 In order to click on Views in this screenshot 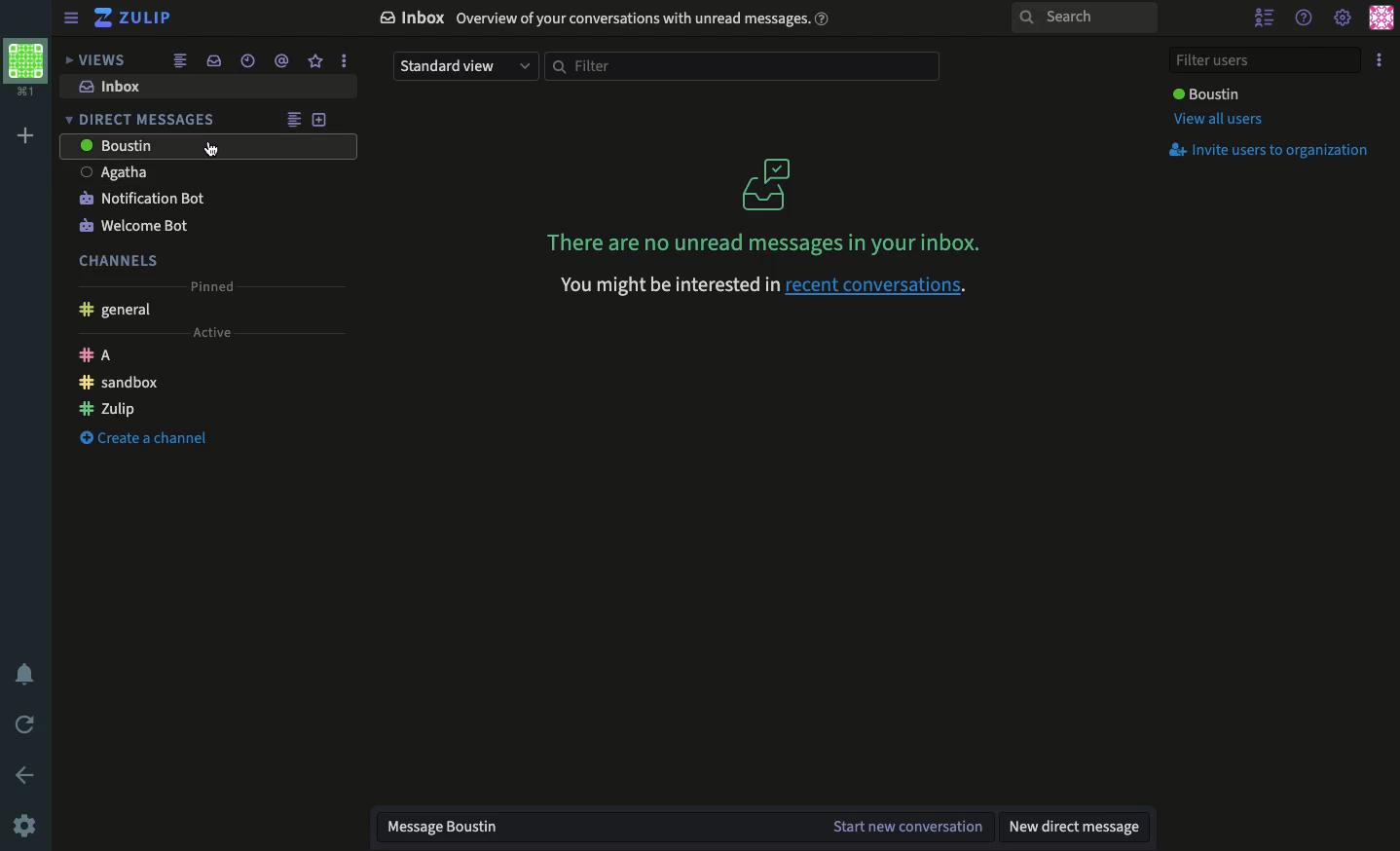, I will do `click(100, 57)`.